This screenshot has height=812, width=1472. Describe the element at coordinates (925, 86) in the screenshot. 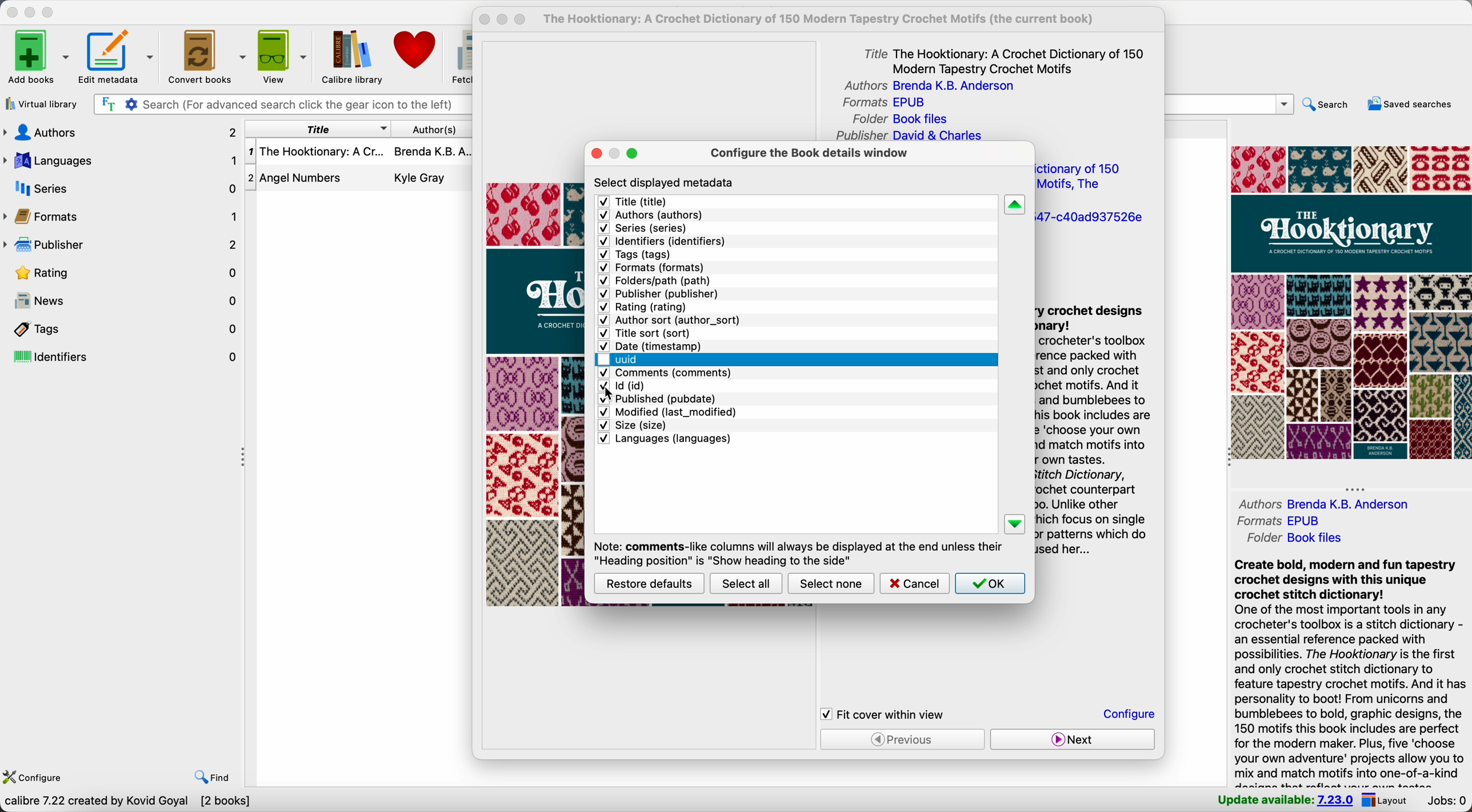

I see `authors` at that location.